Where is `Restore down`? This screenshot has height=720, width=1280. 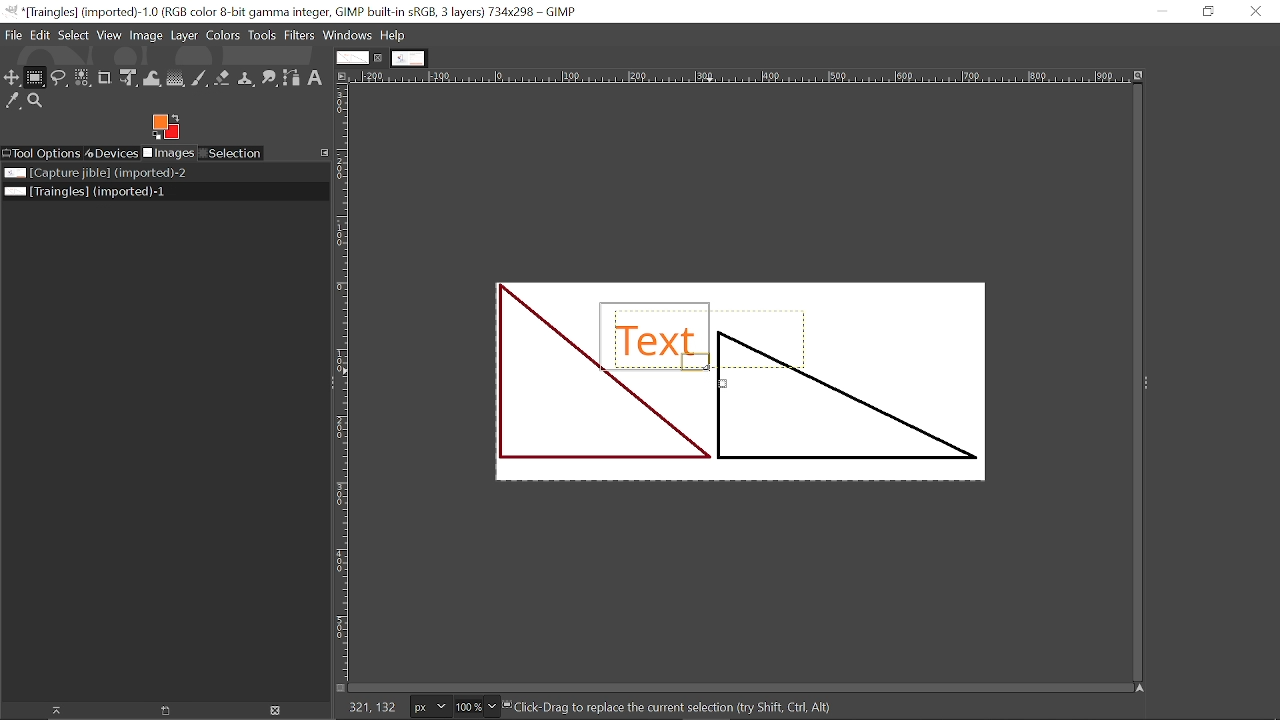
Restore down is located at coordinates (1210, 12).